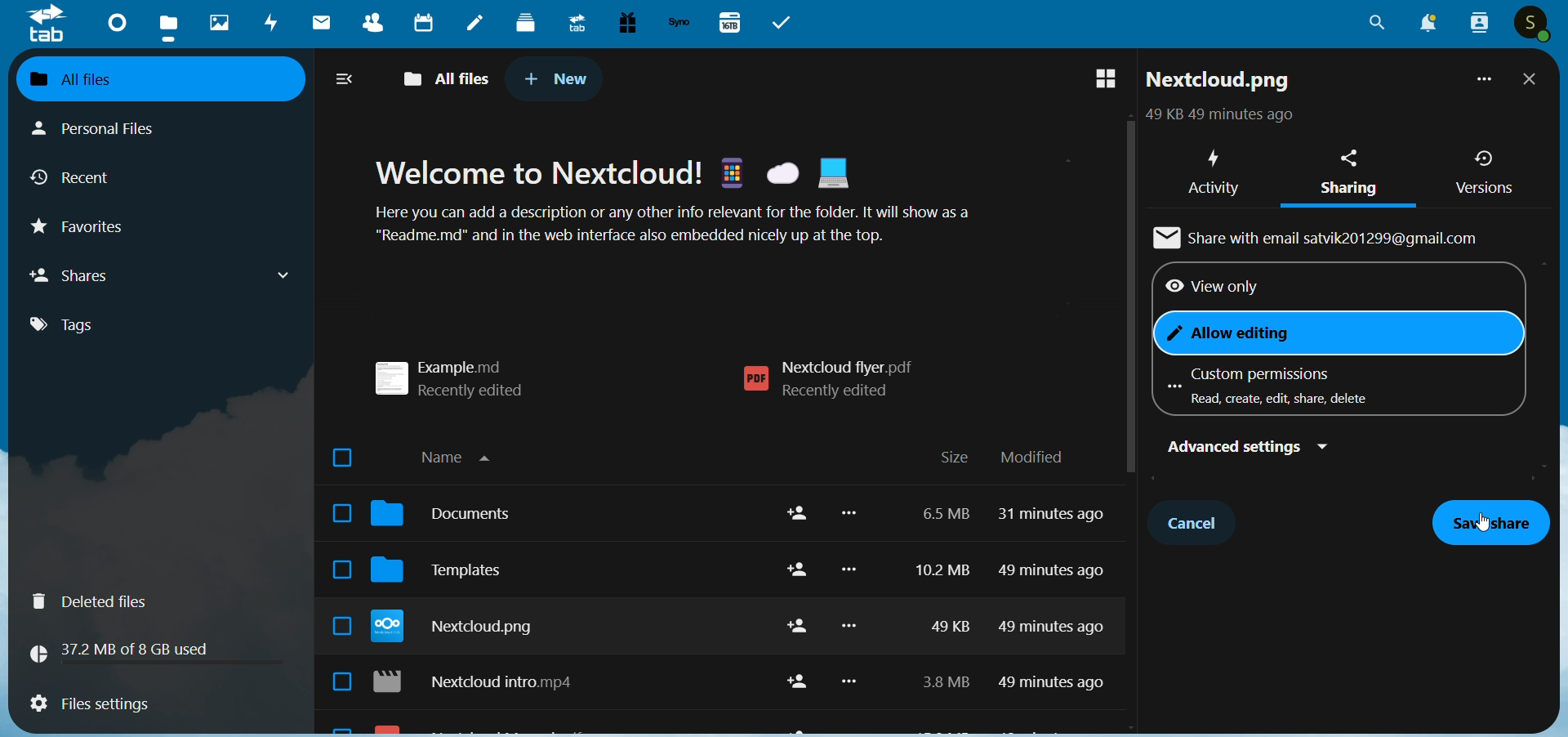  I want to click on shares, so click(163, 275).